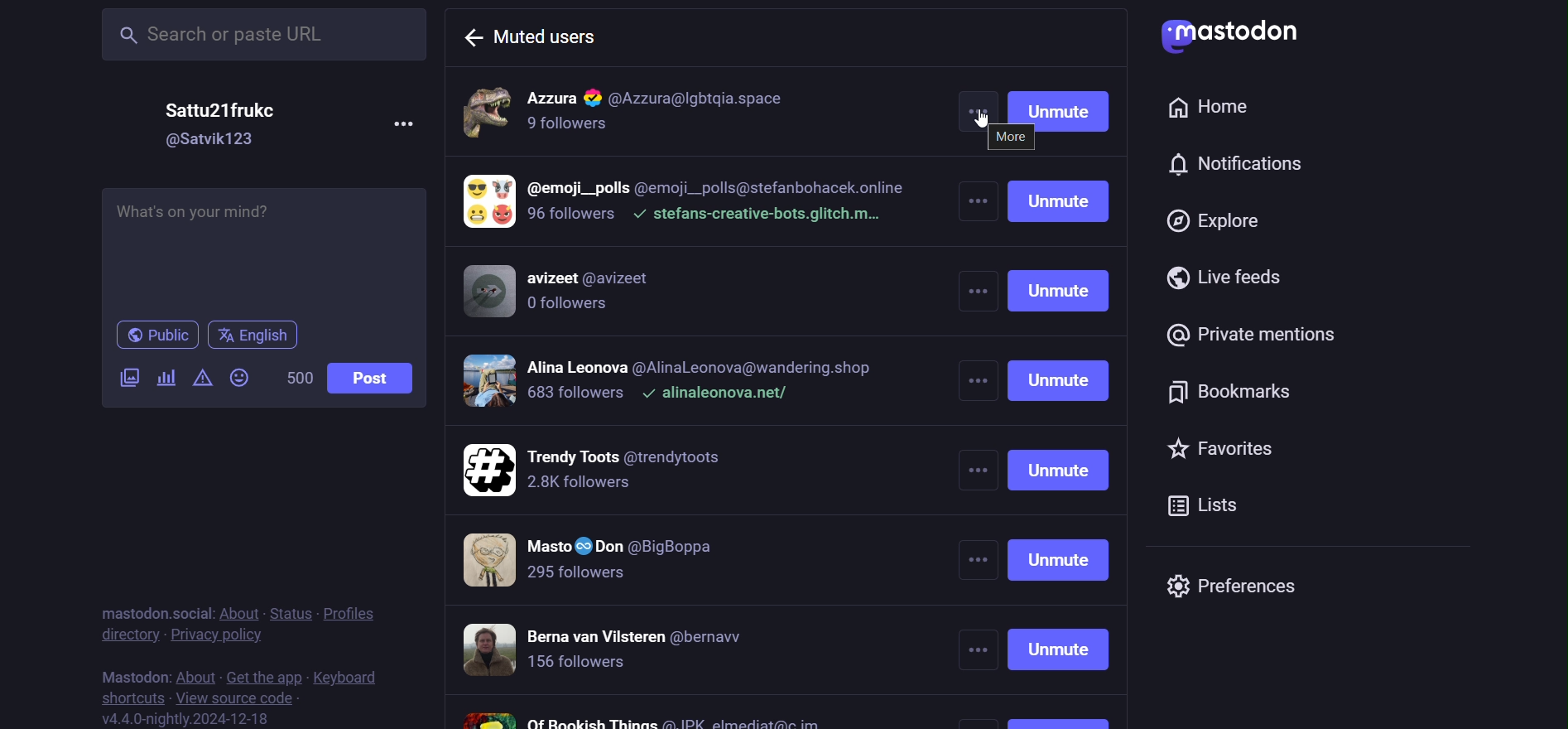 The height and width of the screenshot is (729, 1568). I want to click on notification, so click(1233, 161).